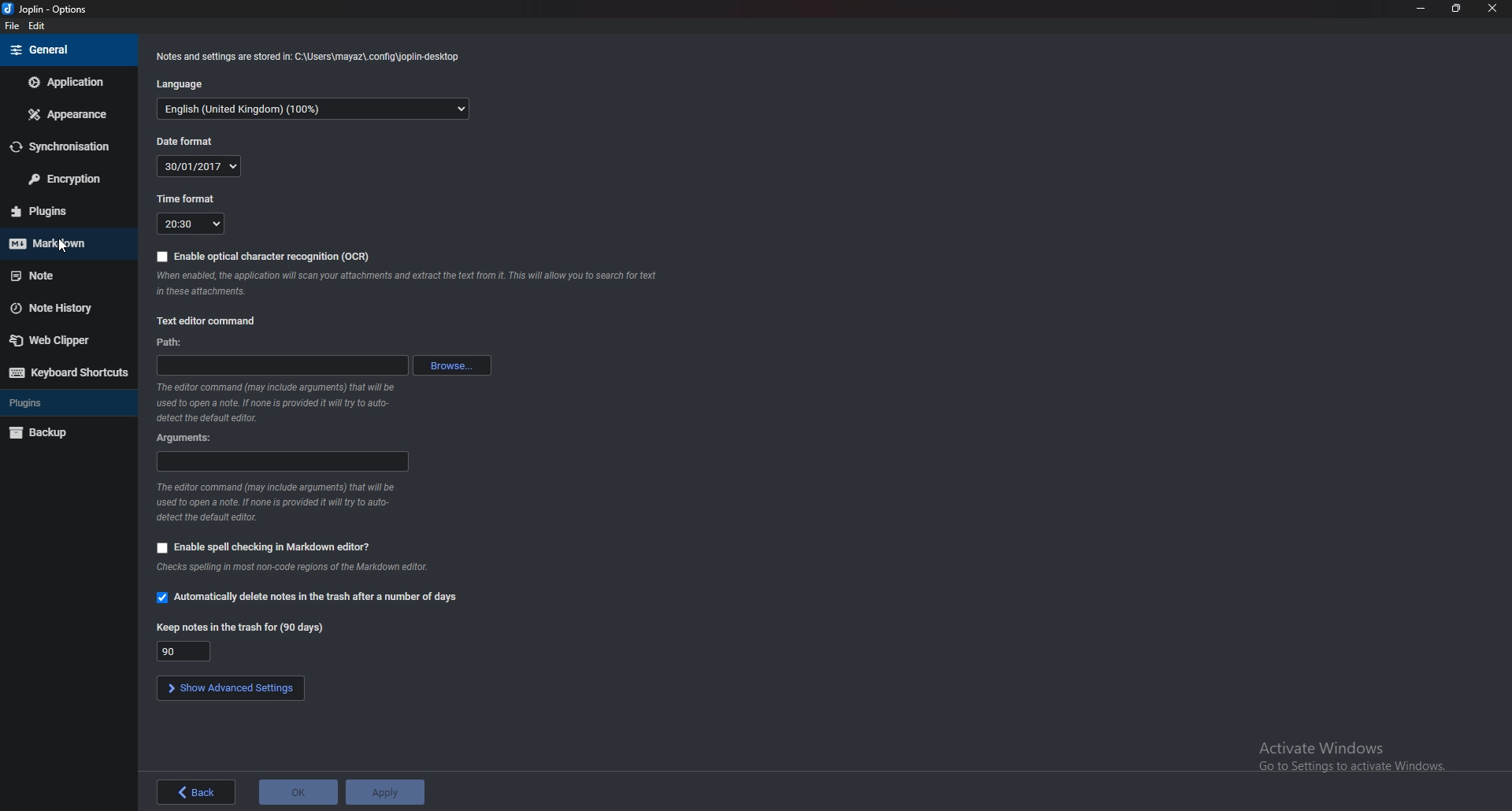 This screenshot has height=811, width=1512. I want to click on date format, so click(198, 167).